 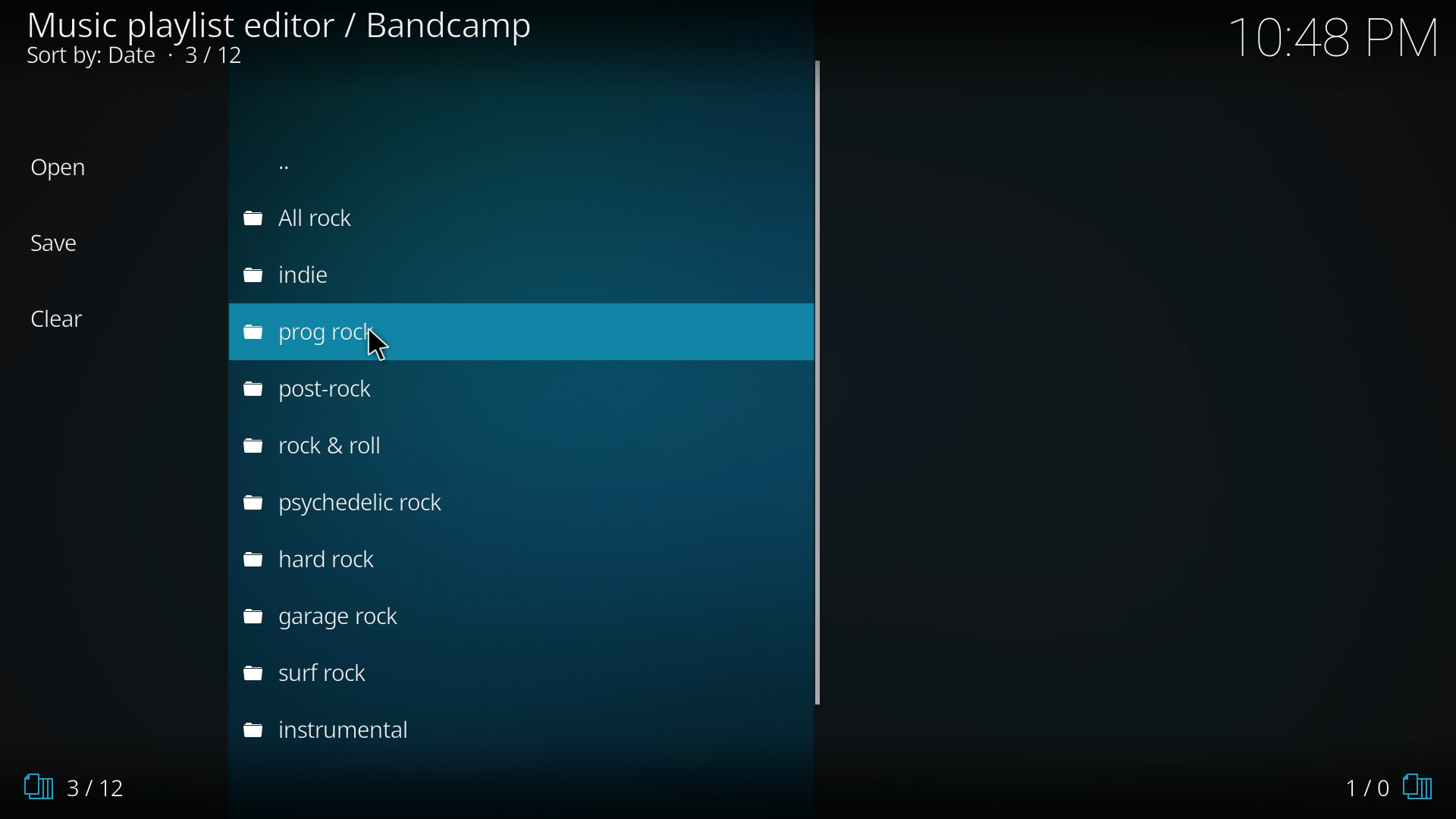 I want to click on scroll bar, so click(x=816, y=382).